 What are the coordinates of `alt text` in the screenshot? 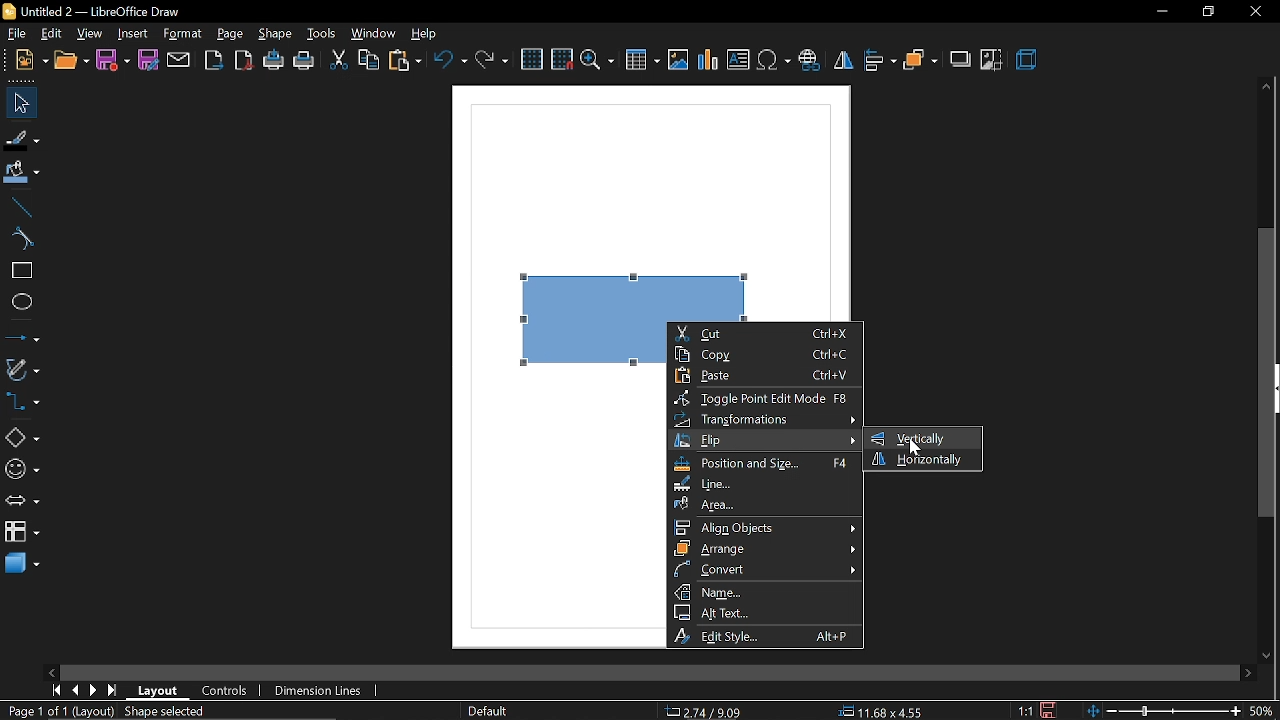 It's located at (764, 611).